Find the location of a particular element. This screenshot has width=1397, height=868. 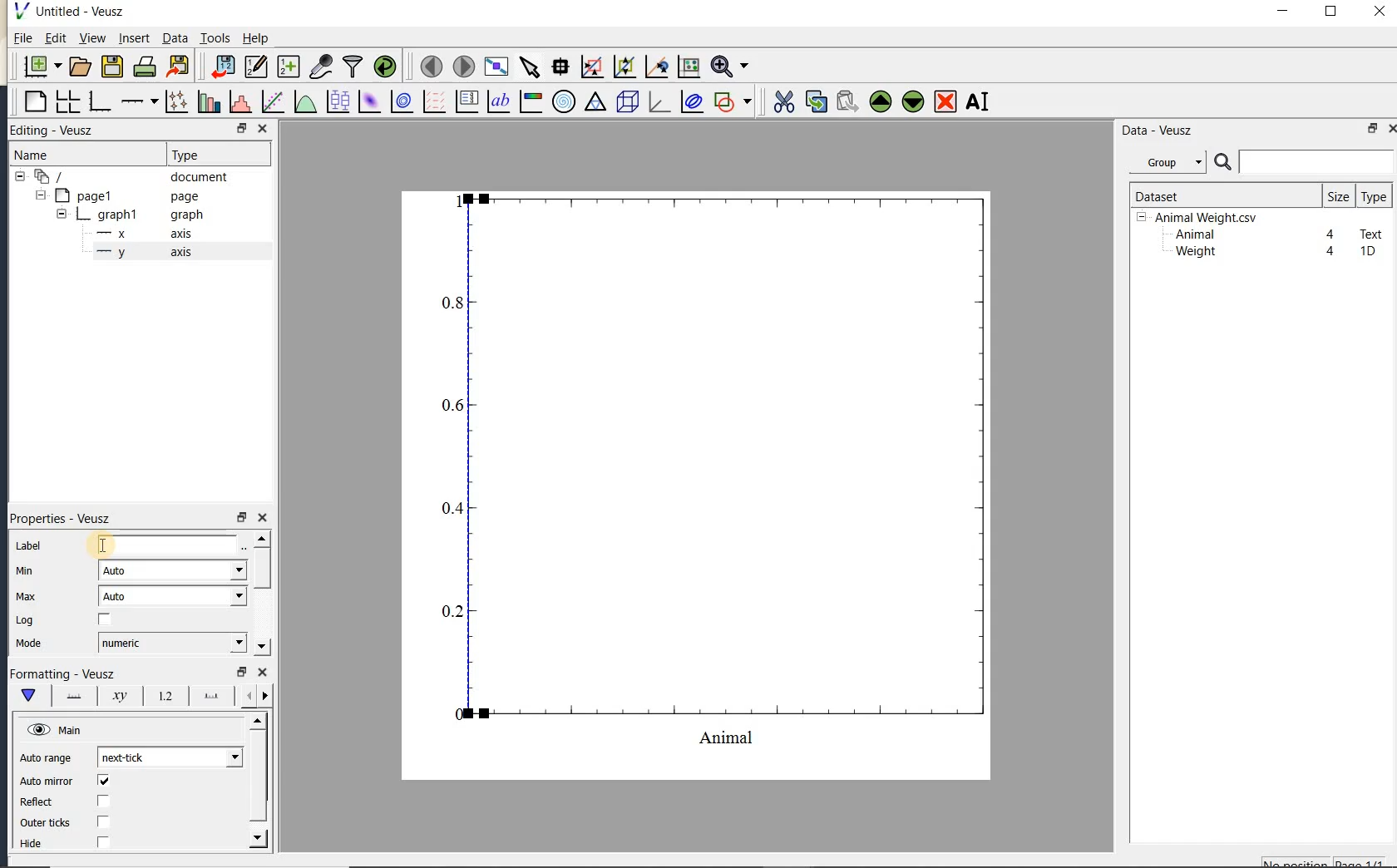

axis label is located at coordinates (116, 696).